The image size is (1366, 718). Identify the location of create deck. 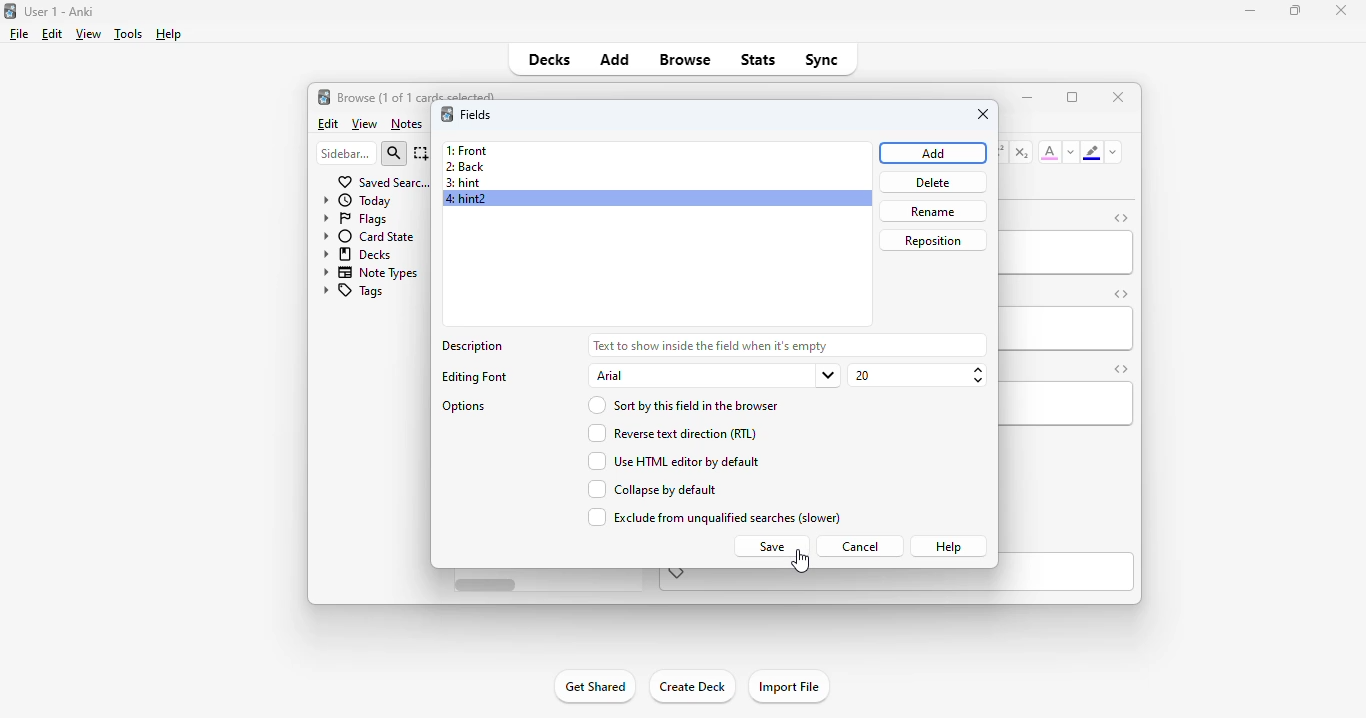
(691, 685).